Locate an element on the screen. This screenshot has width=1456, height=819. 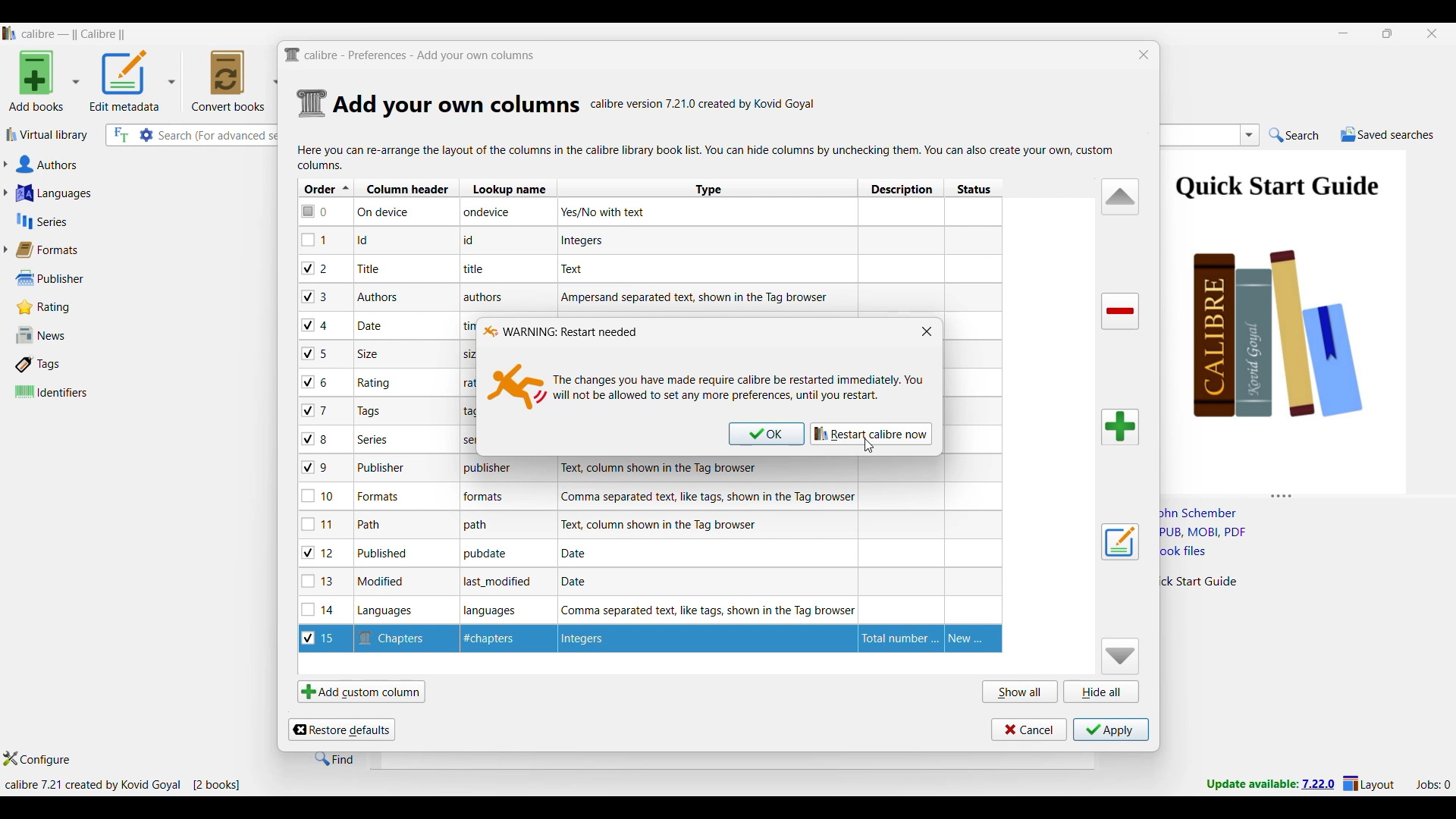
Software logo is located at coordinates (10, 33).